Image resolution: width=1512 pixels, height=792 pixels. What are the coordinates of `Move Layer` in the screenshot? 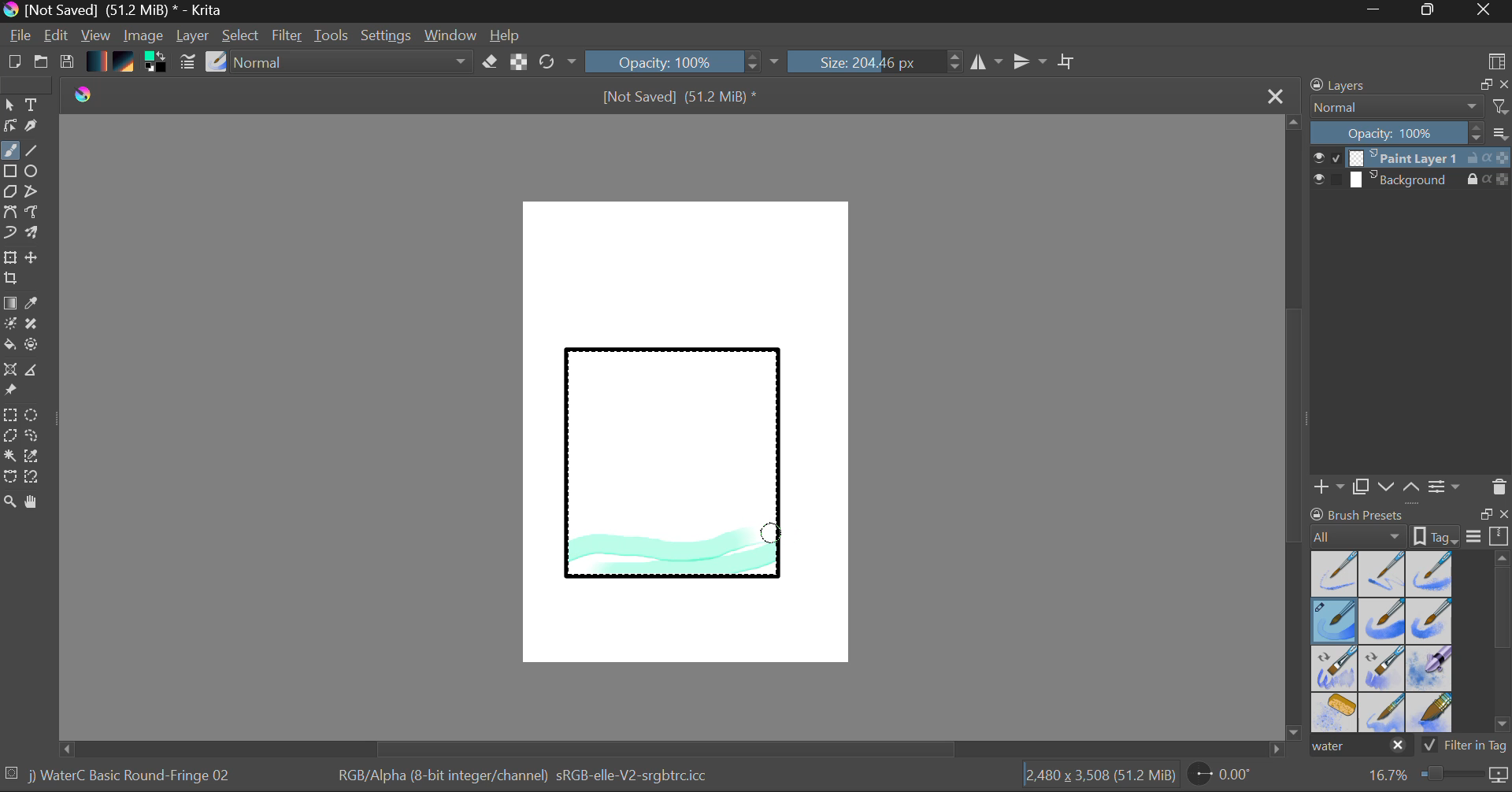 It's located at (33, 257).